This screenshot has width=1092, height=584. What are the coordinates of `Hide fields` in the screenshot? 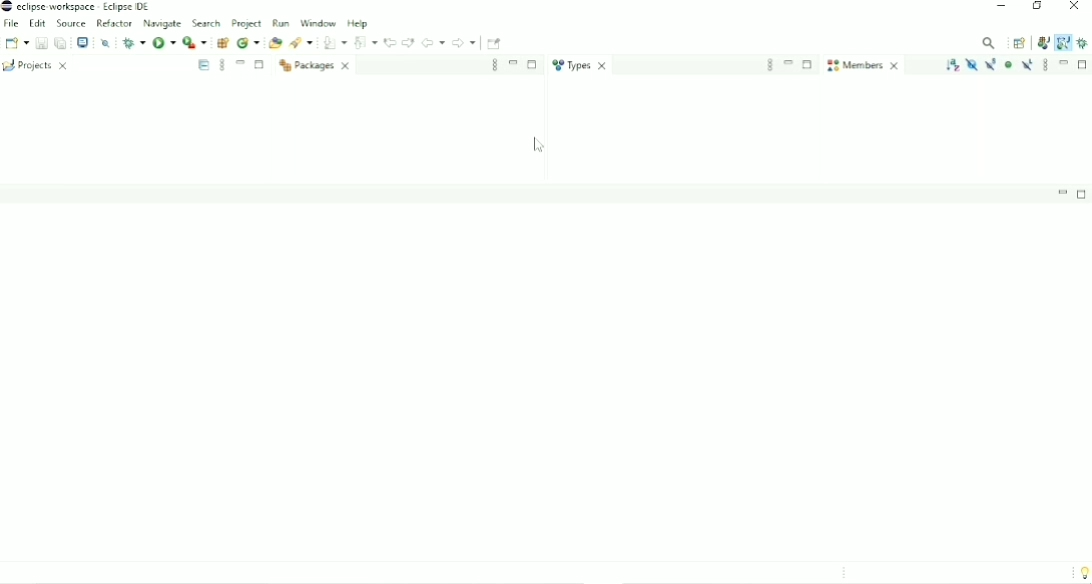 It's located at (971, 64).